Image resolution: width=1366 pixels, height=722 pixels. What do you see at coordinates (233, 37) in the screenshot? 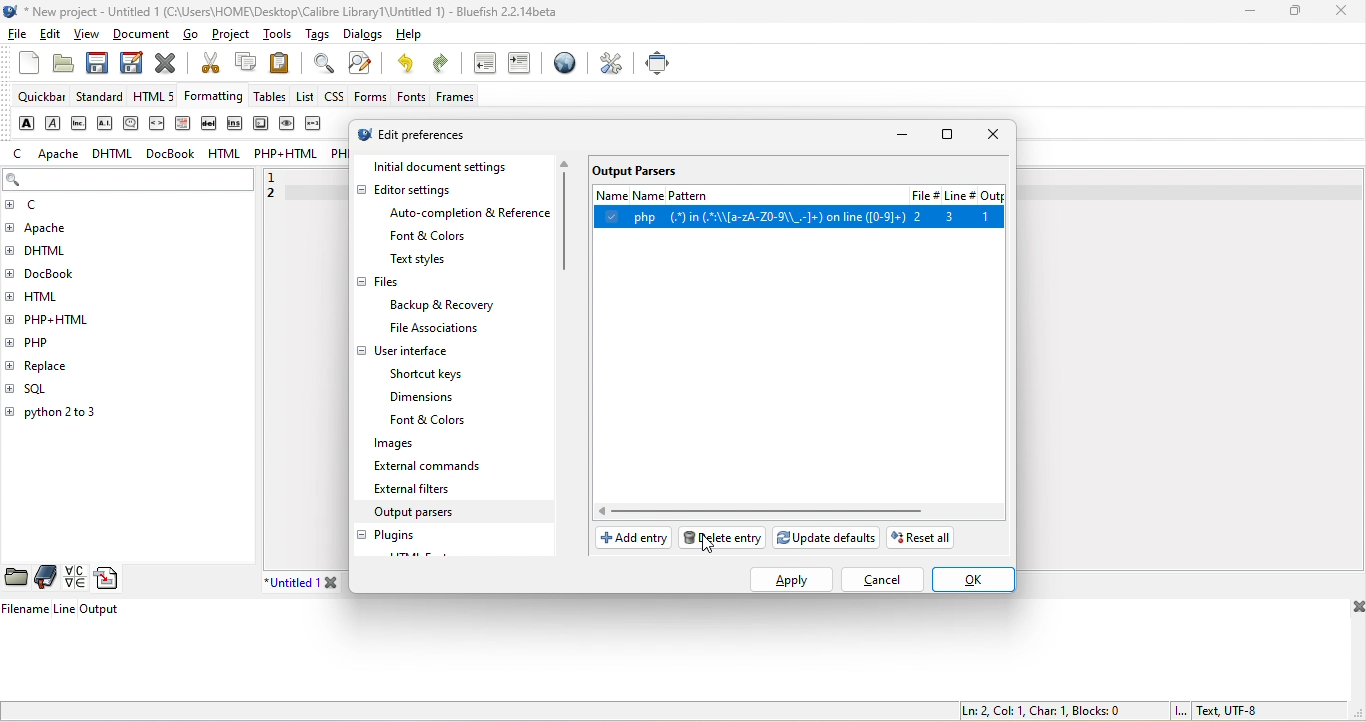
I see `project` at bounding box center [233, 37].